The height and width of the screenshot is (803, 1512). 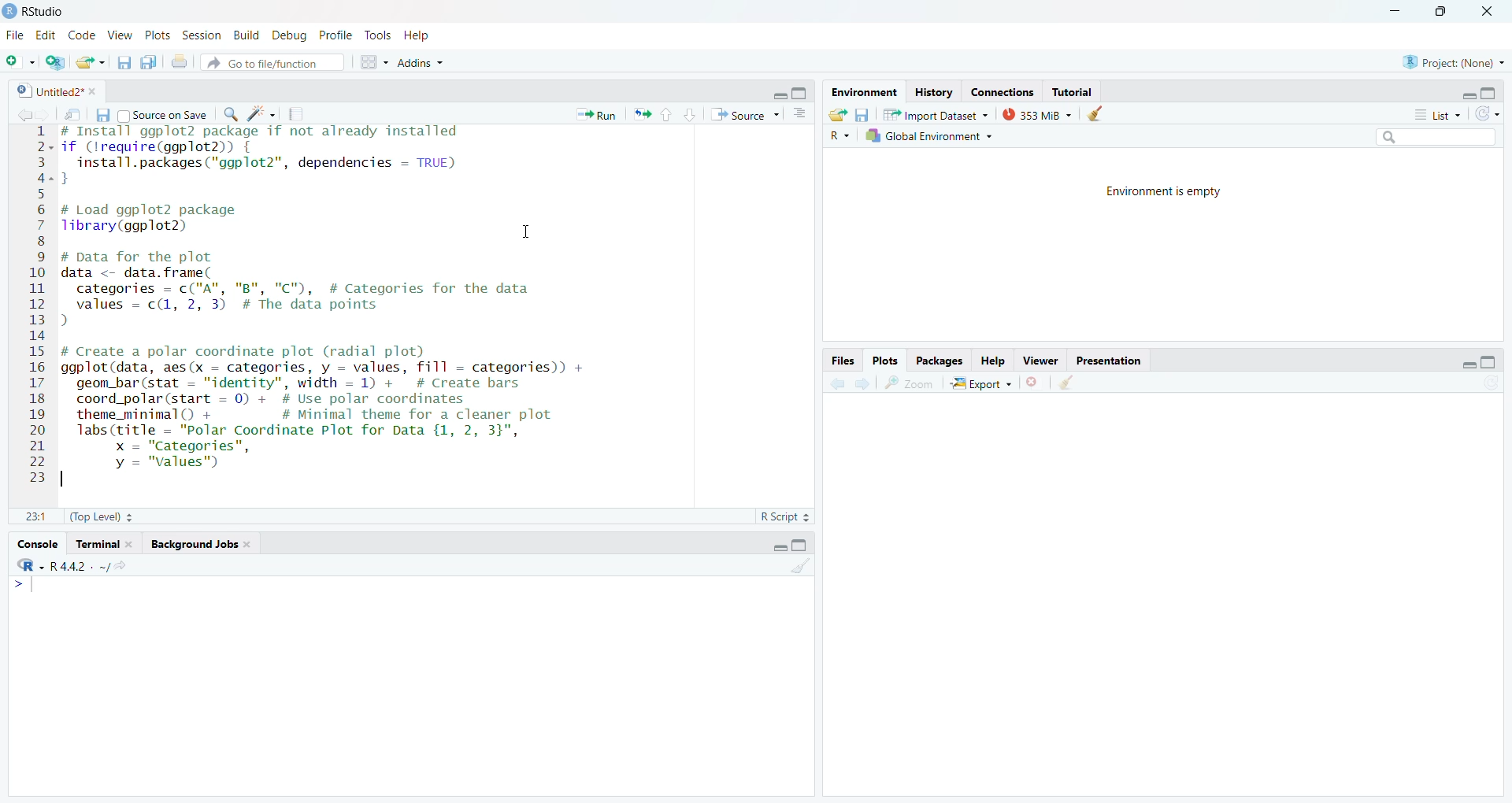 What do you see at coordinates (1467, 361) in the screenshot?
I see `hide r script` at bounding box center [1467, 361].